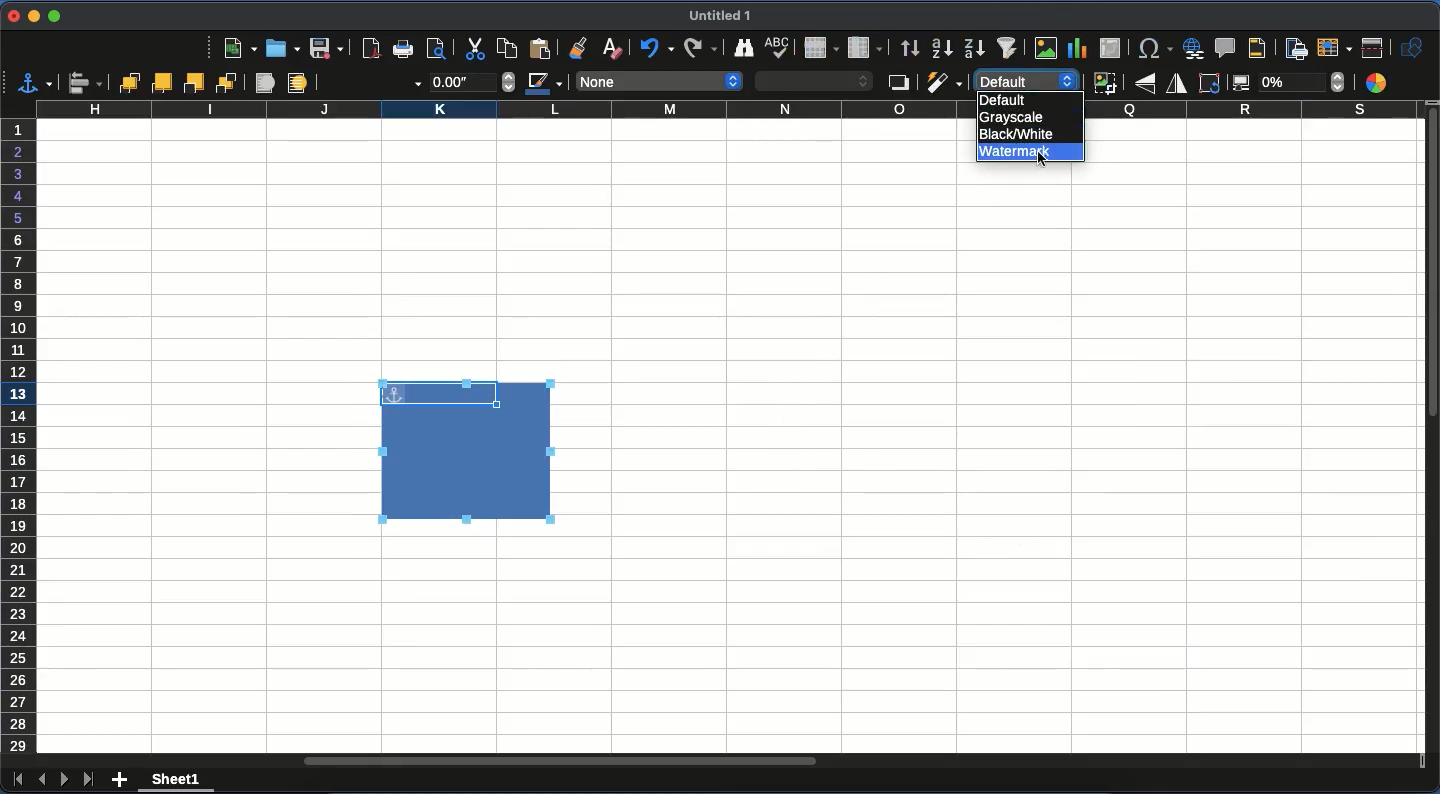 Image resolution: width=1440 pixels, height=794 pixels. I want to click on chart, so click(1081, 49).